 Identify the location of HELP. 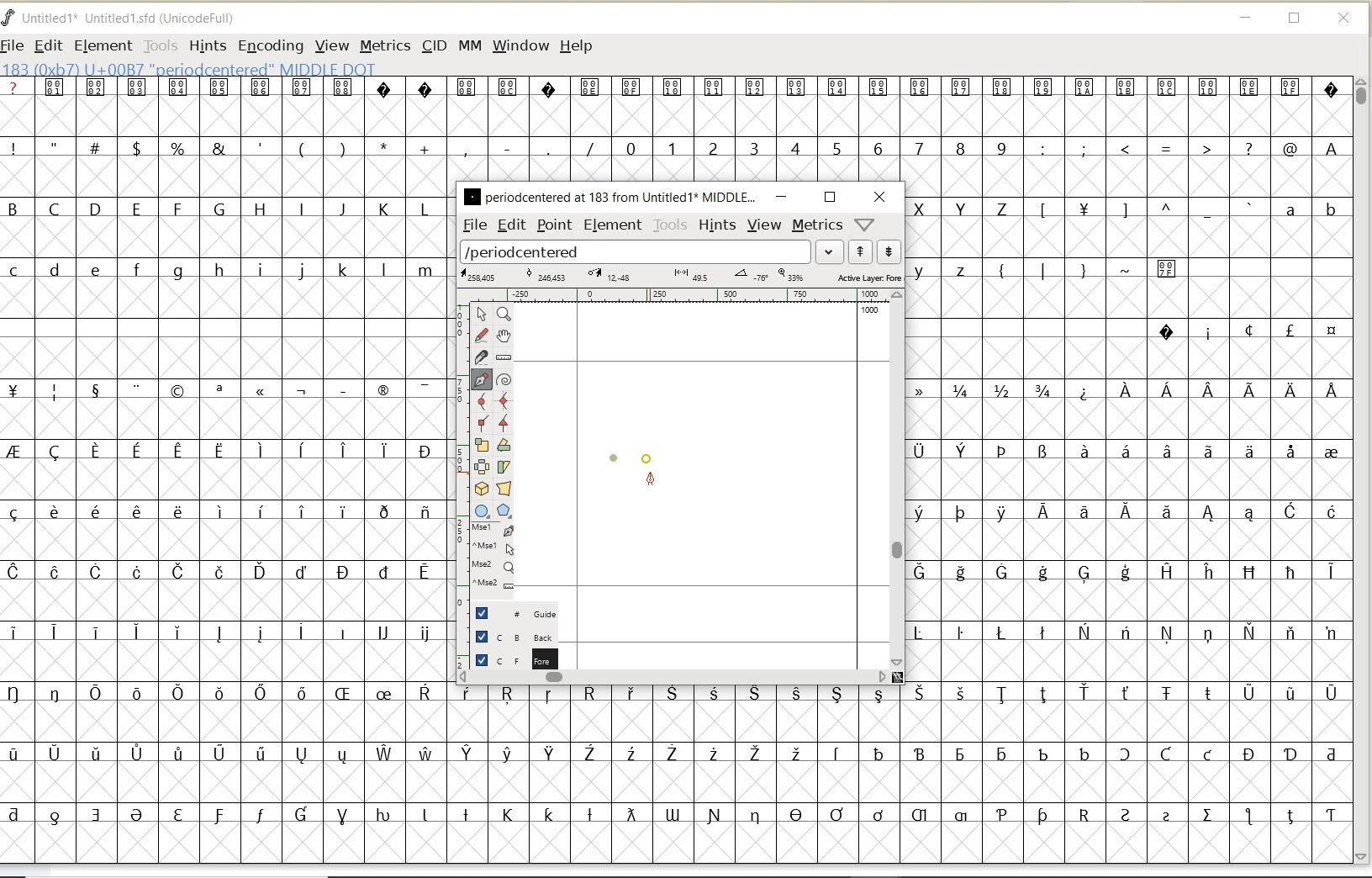
(576, 45).